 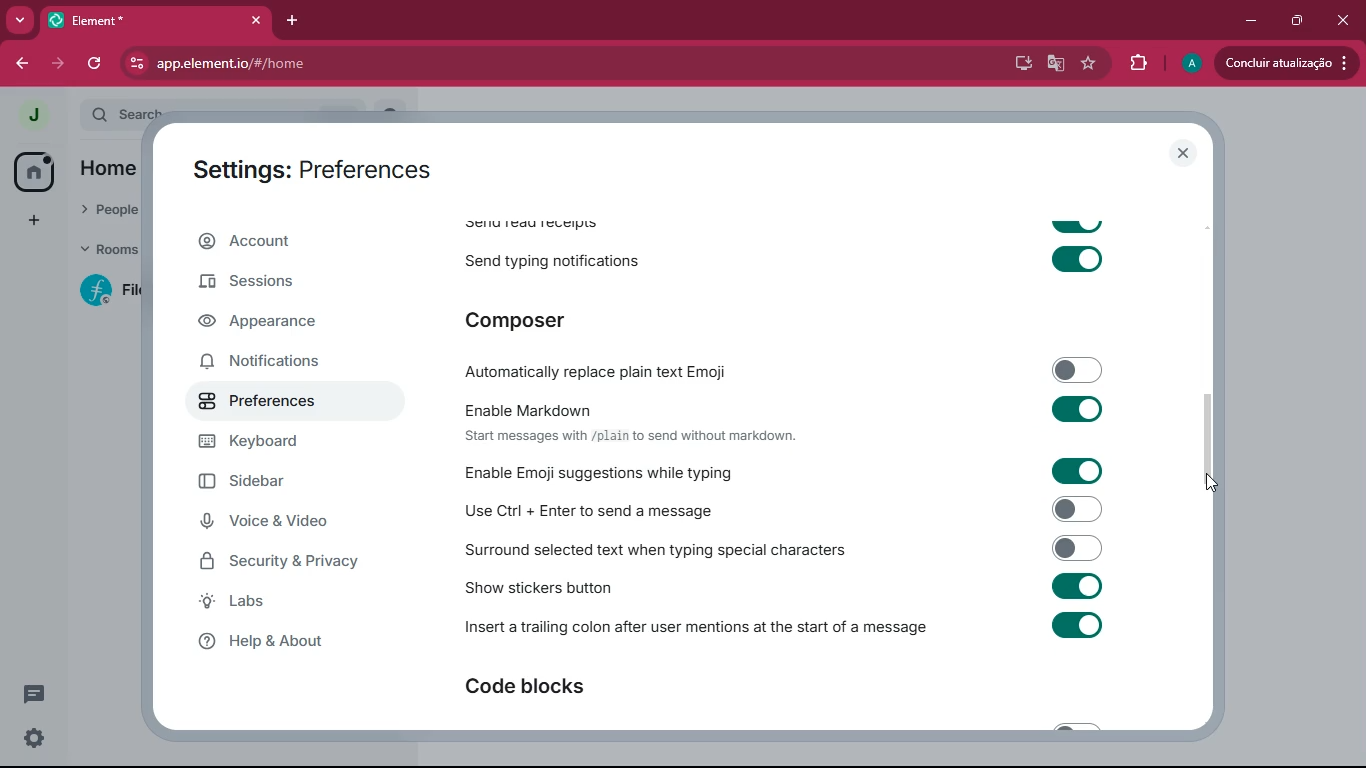 What do you see at coordinates (274, 405) in the screenshot?
I see `preferences` at bounding box center [274, 405].